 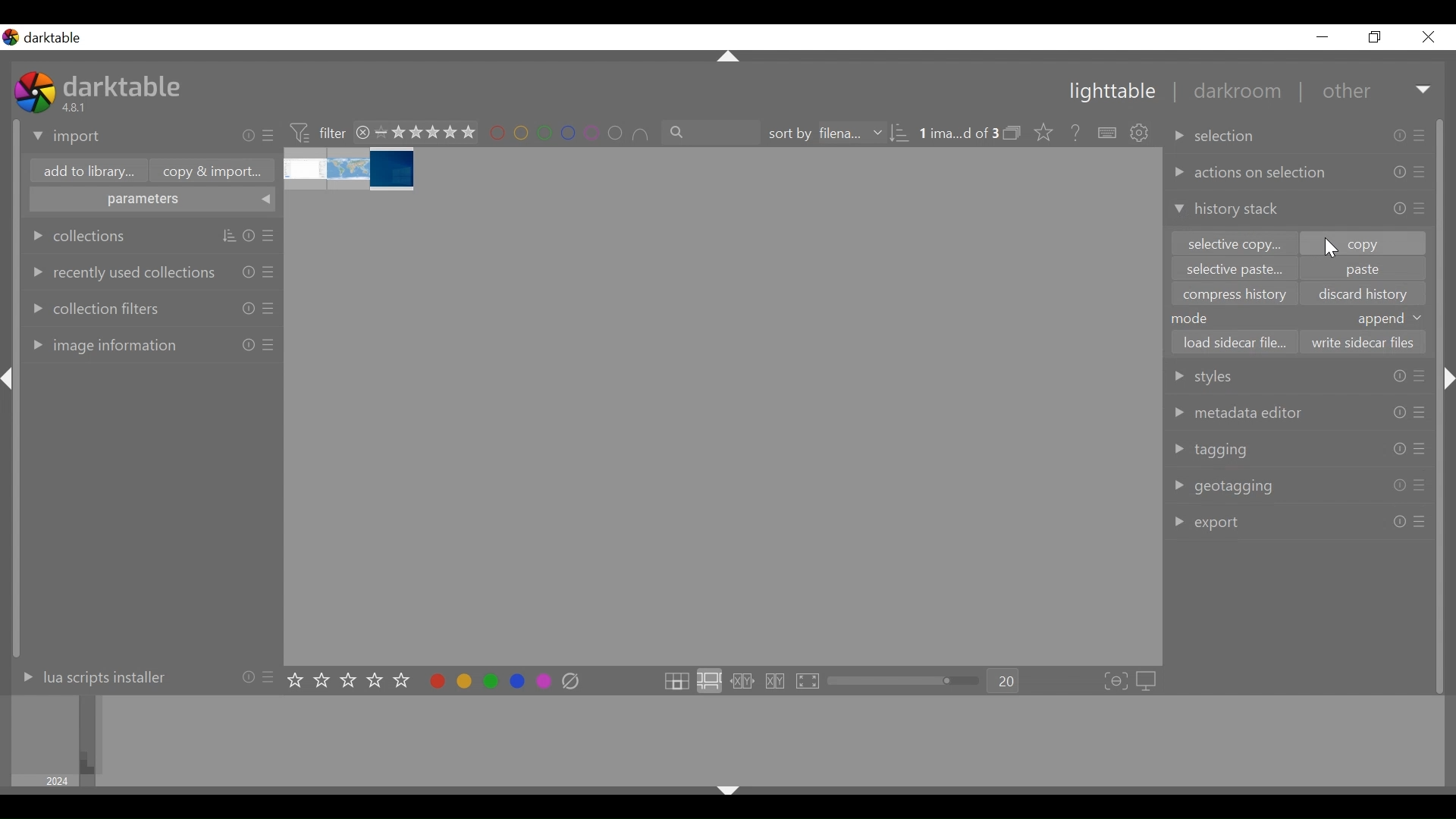 What do you see at coordinates (958, 133) in the screenshot?
I see `number of image selected` at bounding box center [958, 133].